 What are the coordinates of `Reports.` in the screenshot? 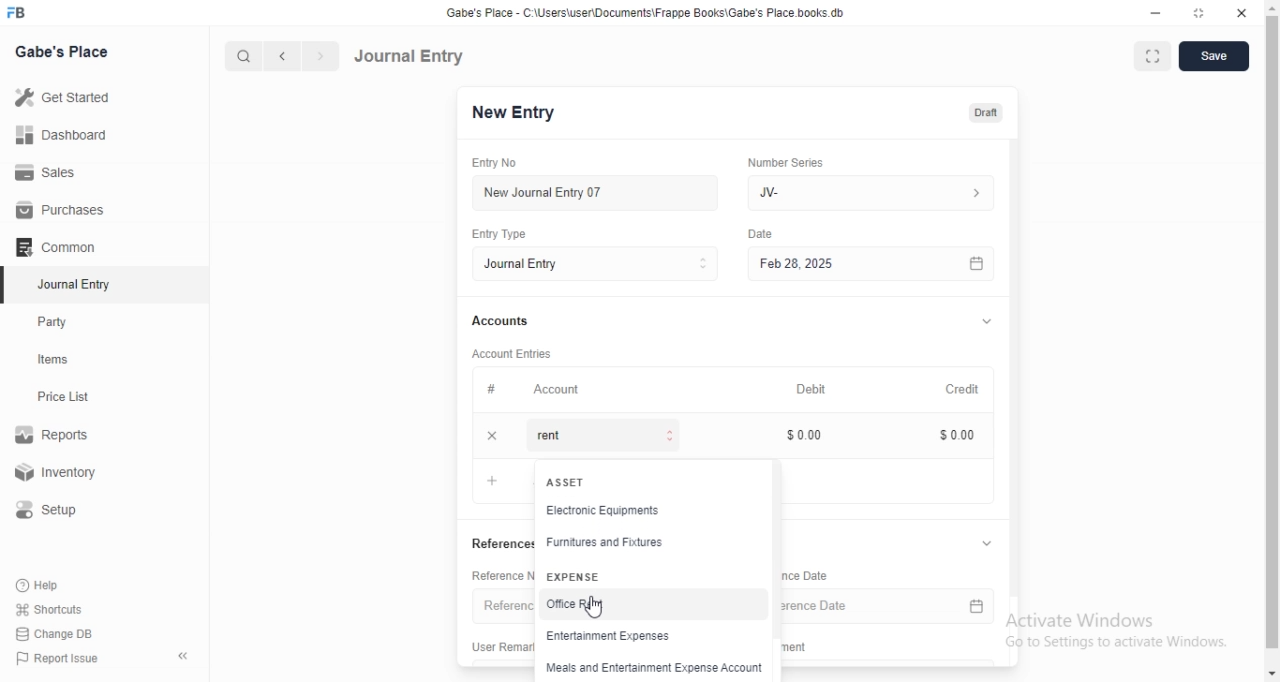 It's located at (55, 438).